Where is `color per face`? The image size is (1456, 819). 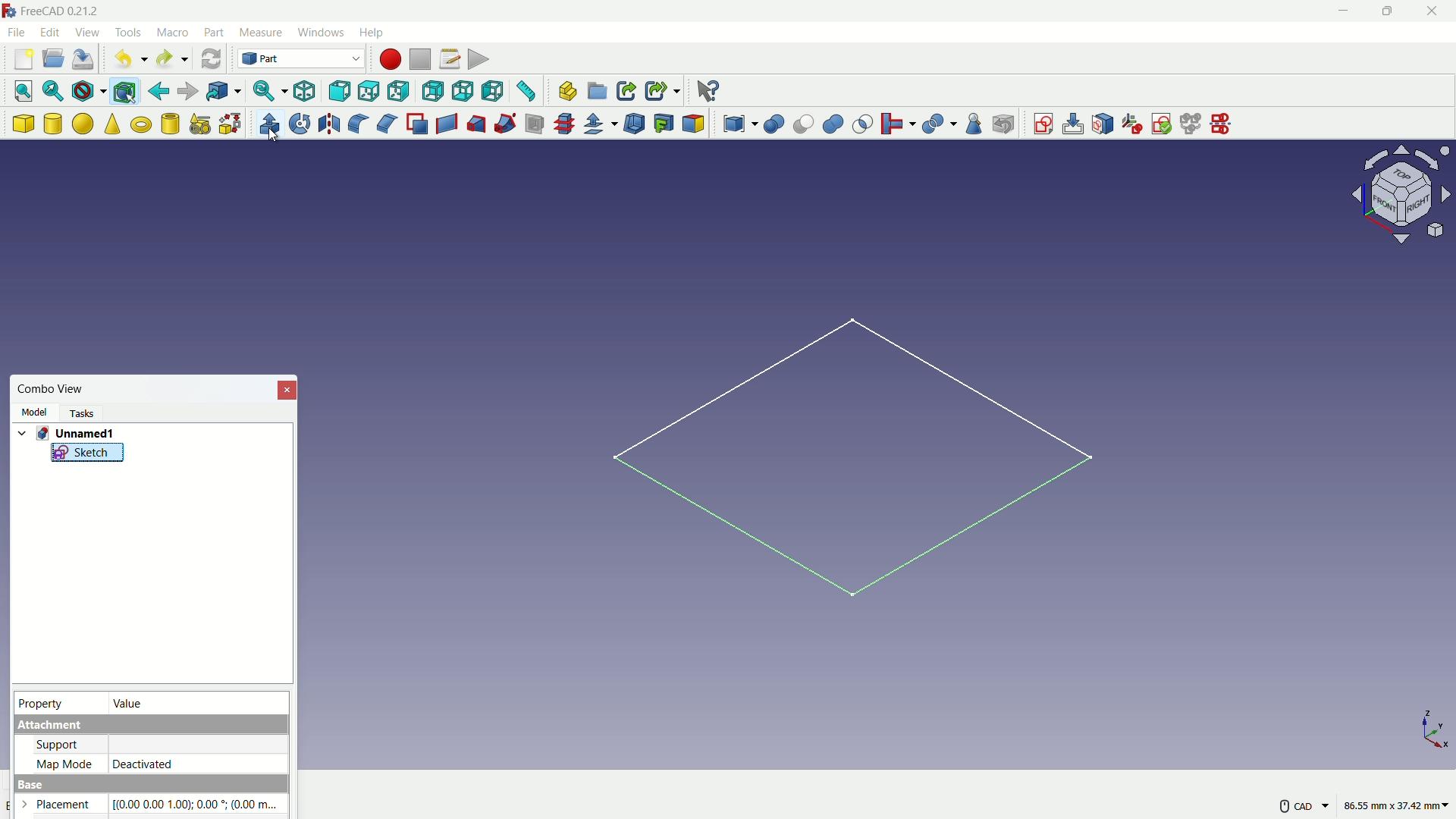
color per face is located at coordinates (695, 124).